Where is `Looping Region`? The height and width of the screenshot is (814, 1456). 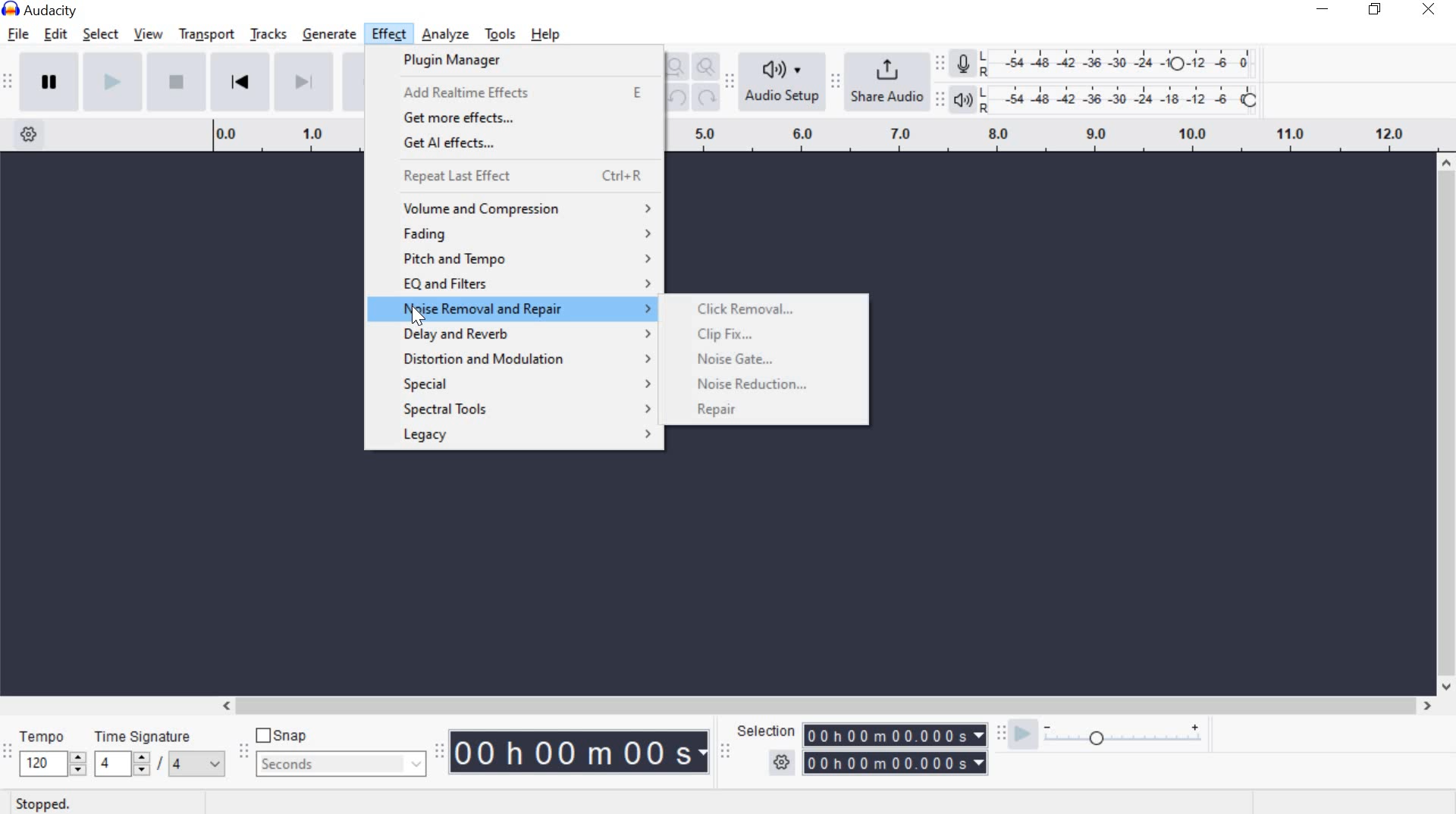
Looping Region is located at coordinates (1056, 136).